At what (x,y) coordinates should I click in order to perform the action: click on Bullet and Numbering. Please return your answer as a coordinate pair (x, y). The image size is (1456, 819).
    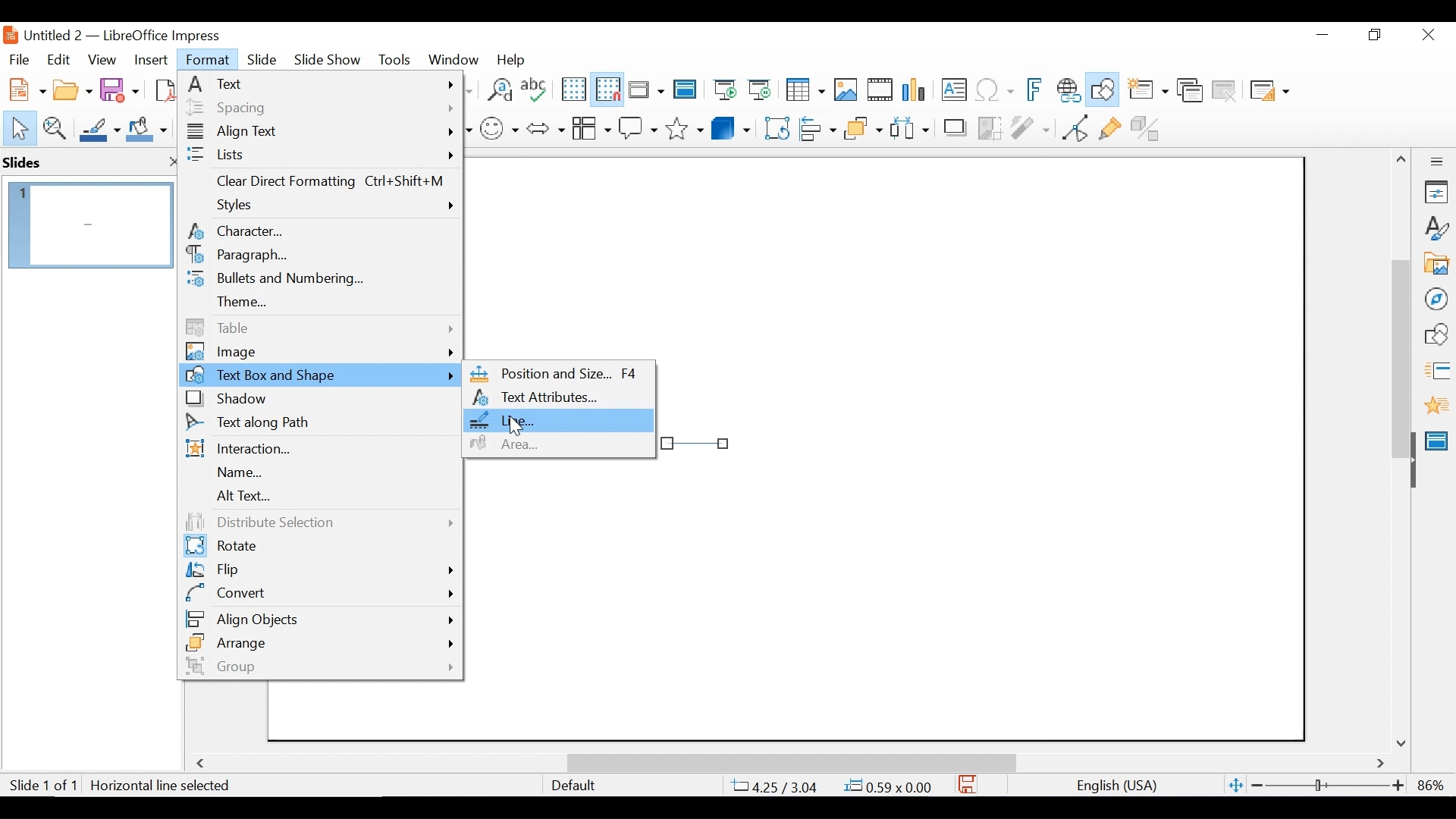
    Looking at the image, I should click on (318, 280).